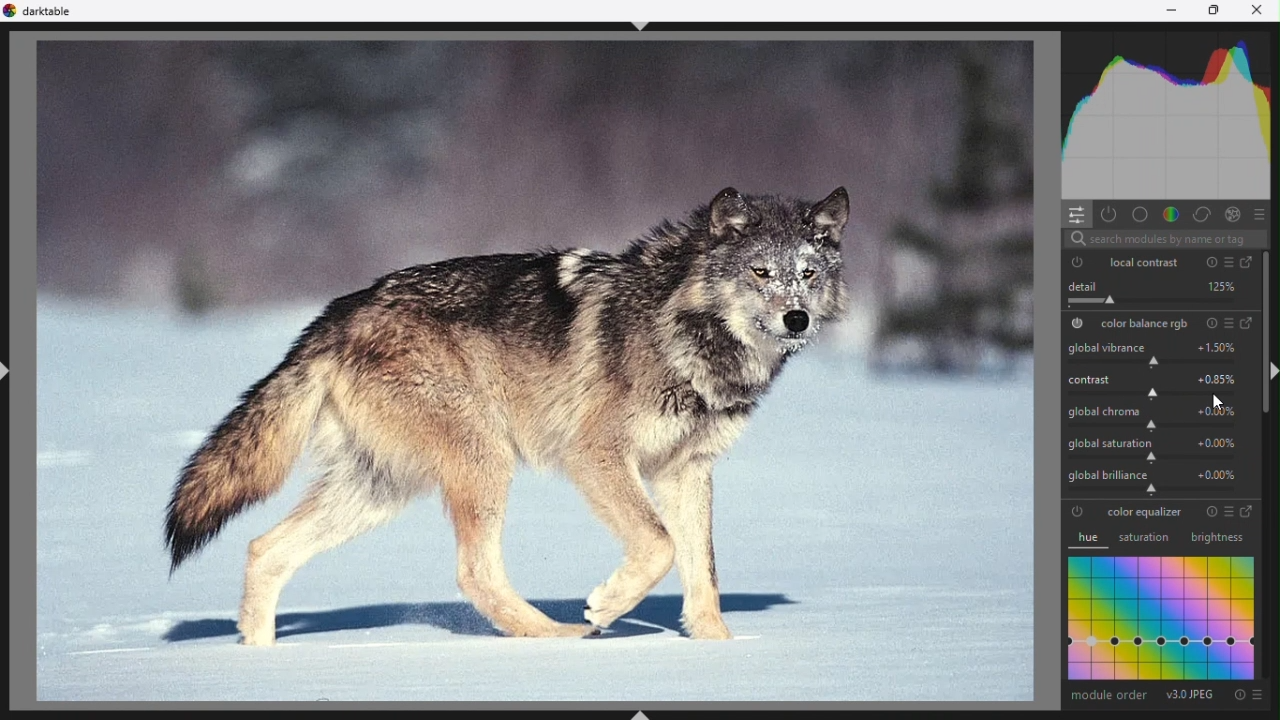  Describe the element at coordinates (1257, 697) in the screenshot. I see `presets` at that location.